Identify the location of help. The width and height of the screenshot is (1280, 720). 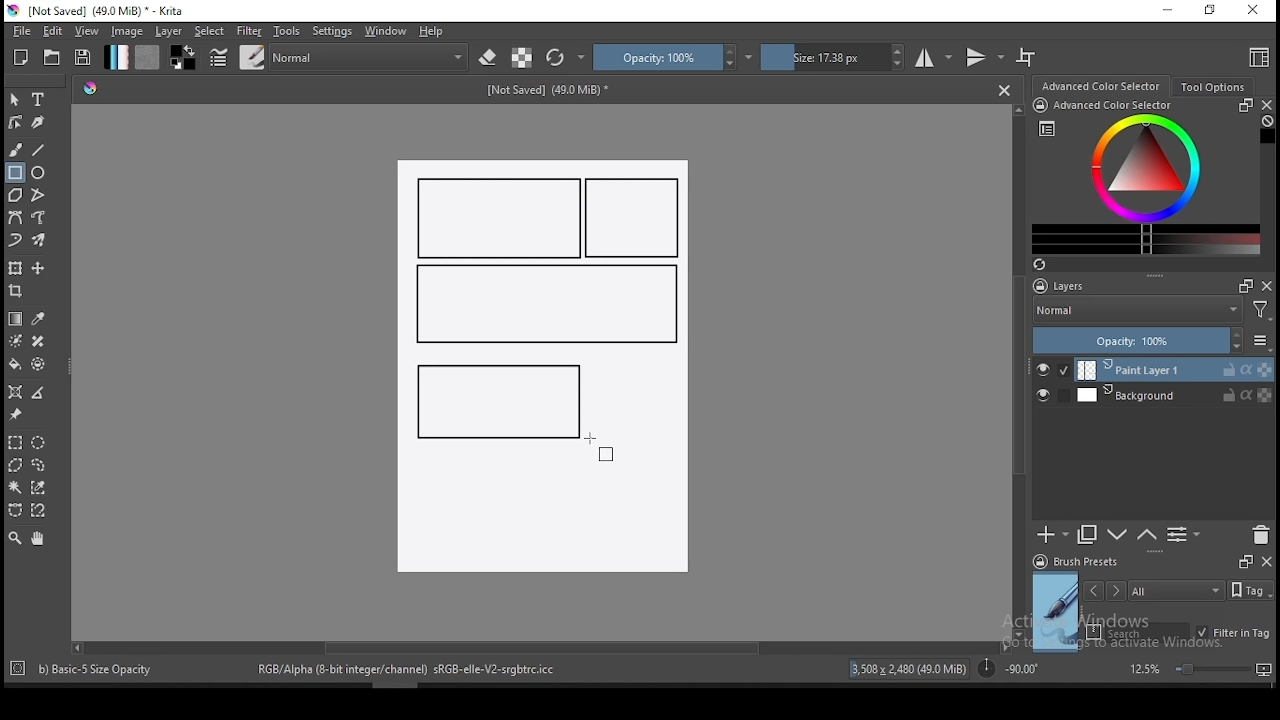
(435, 32).